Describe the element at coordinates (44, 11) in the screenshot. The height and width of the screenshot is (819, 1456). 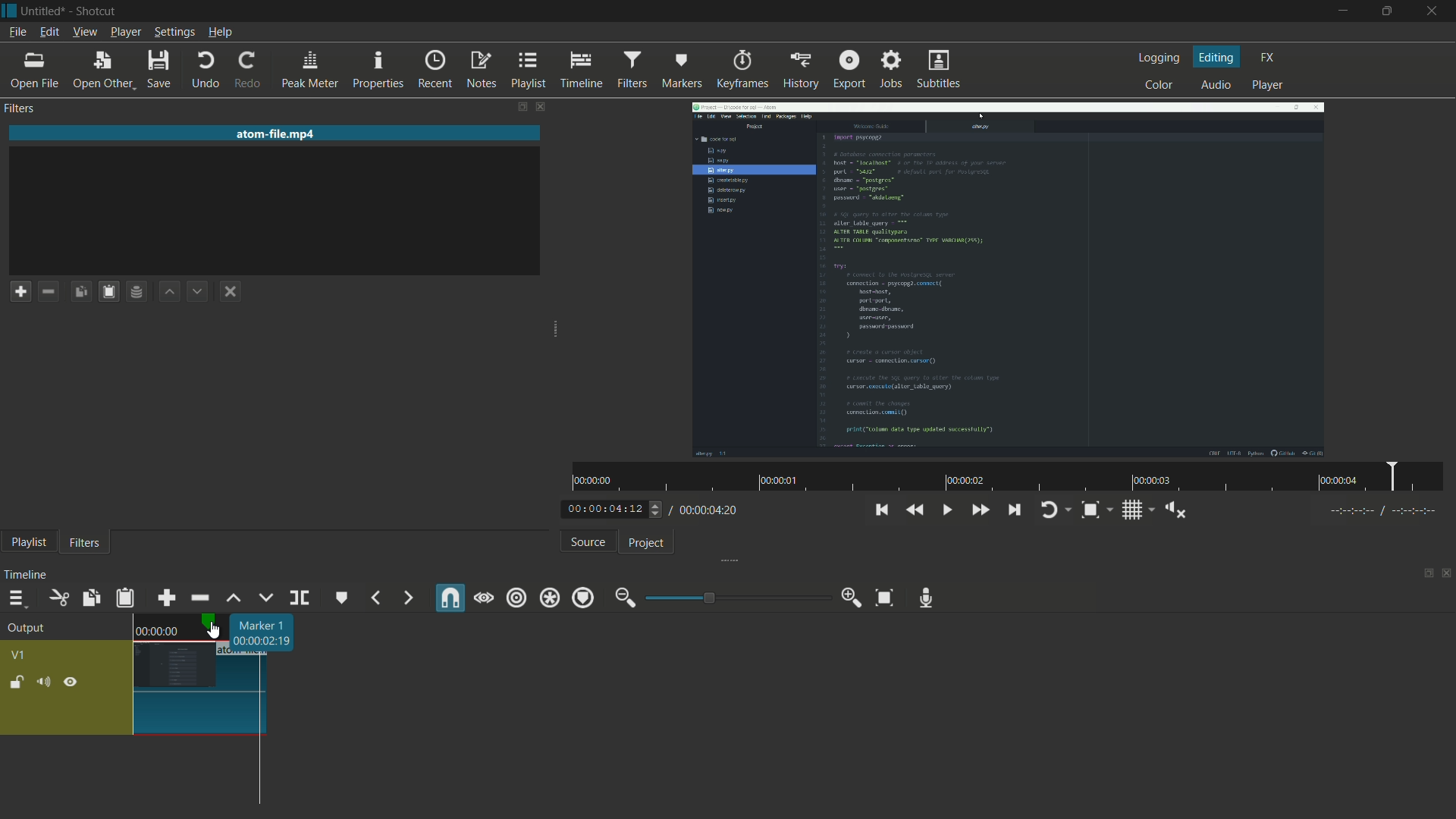
I see `file name` at that location.